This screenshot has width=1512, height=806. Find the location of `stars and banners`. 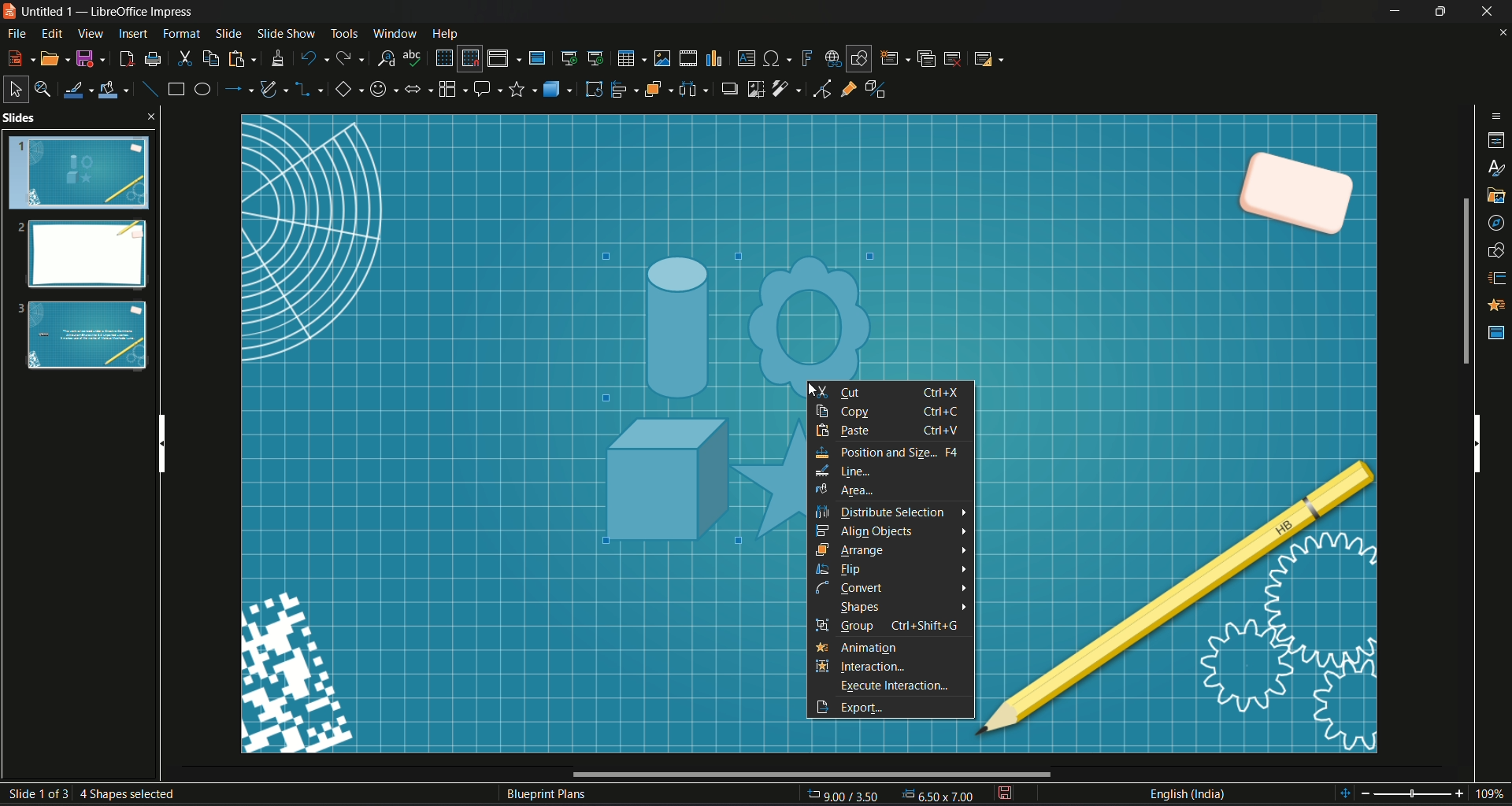

stars and banners is located at coordinates (522, 90).